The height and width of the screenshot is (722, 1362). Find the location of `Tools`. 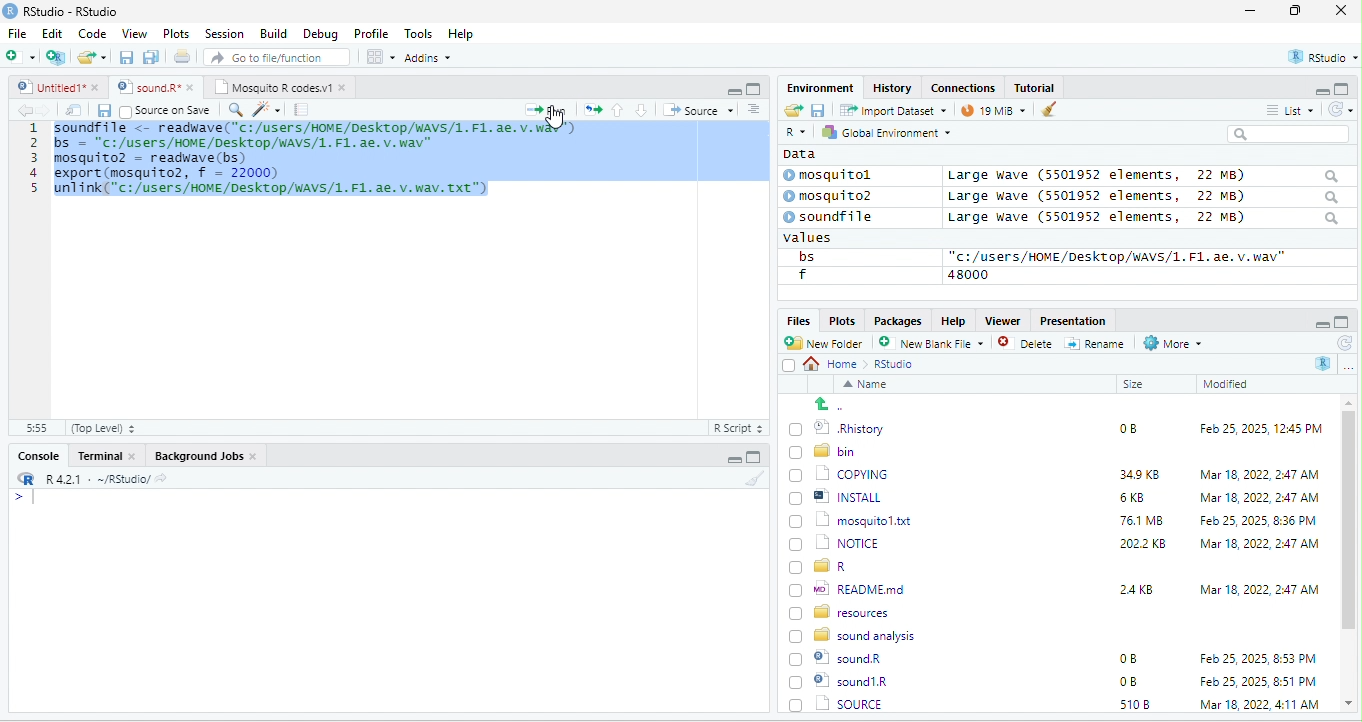

Tools is located at coordinates (419, 33).